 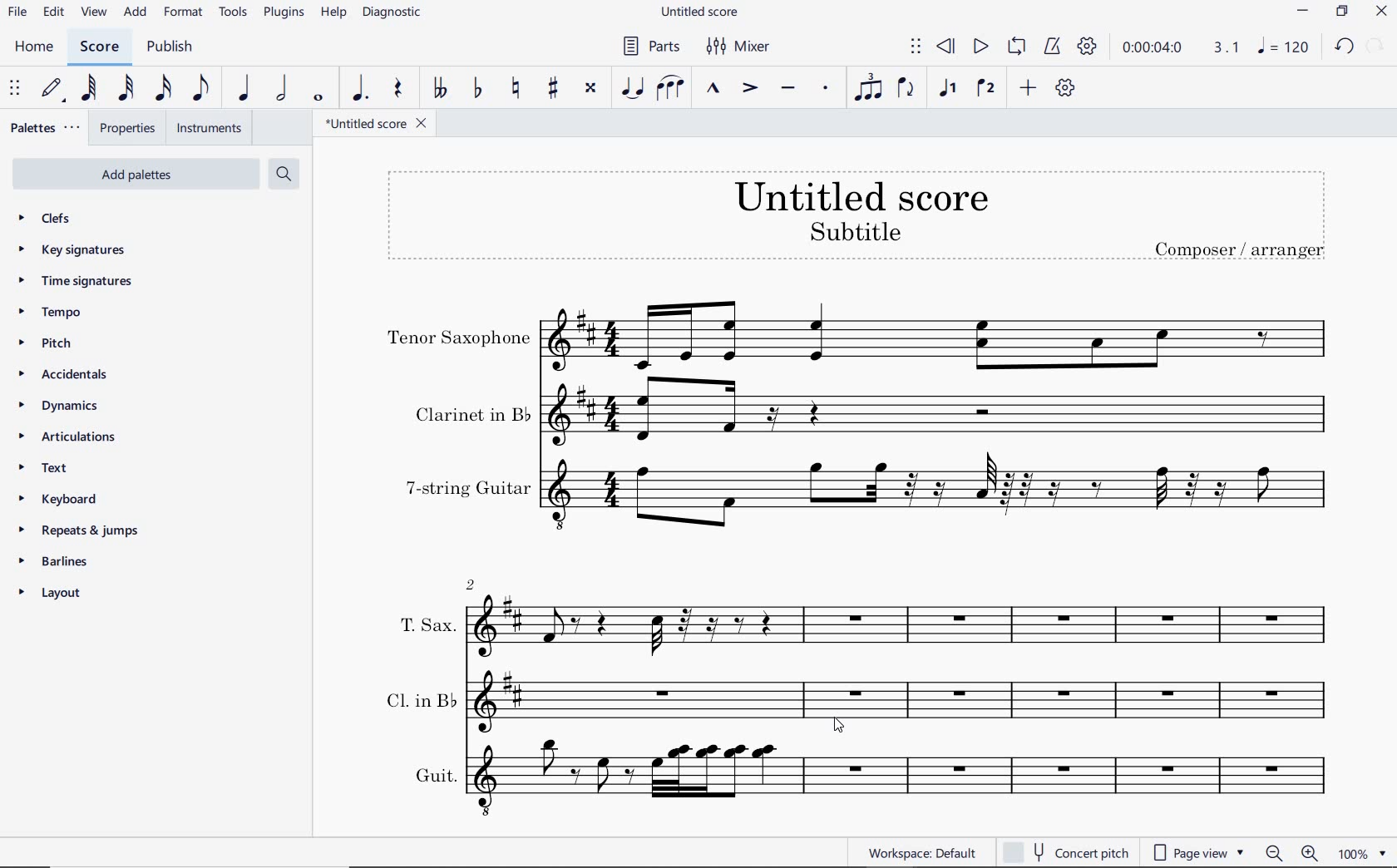 I want to click on RESTORE DOWN, so click(x=1341, y=12).